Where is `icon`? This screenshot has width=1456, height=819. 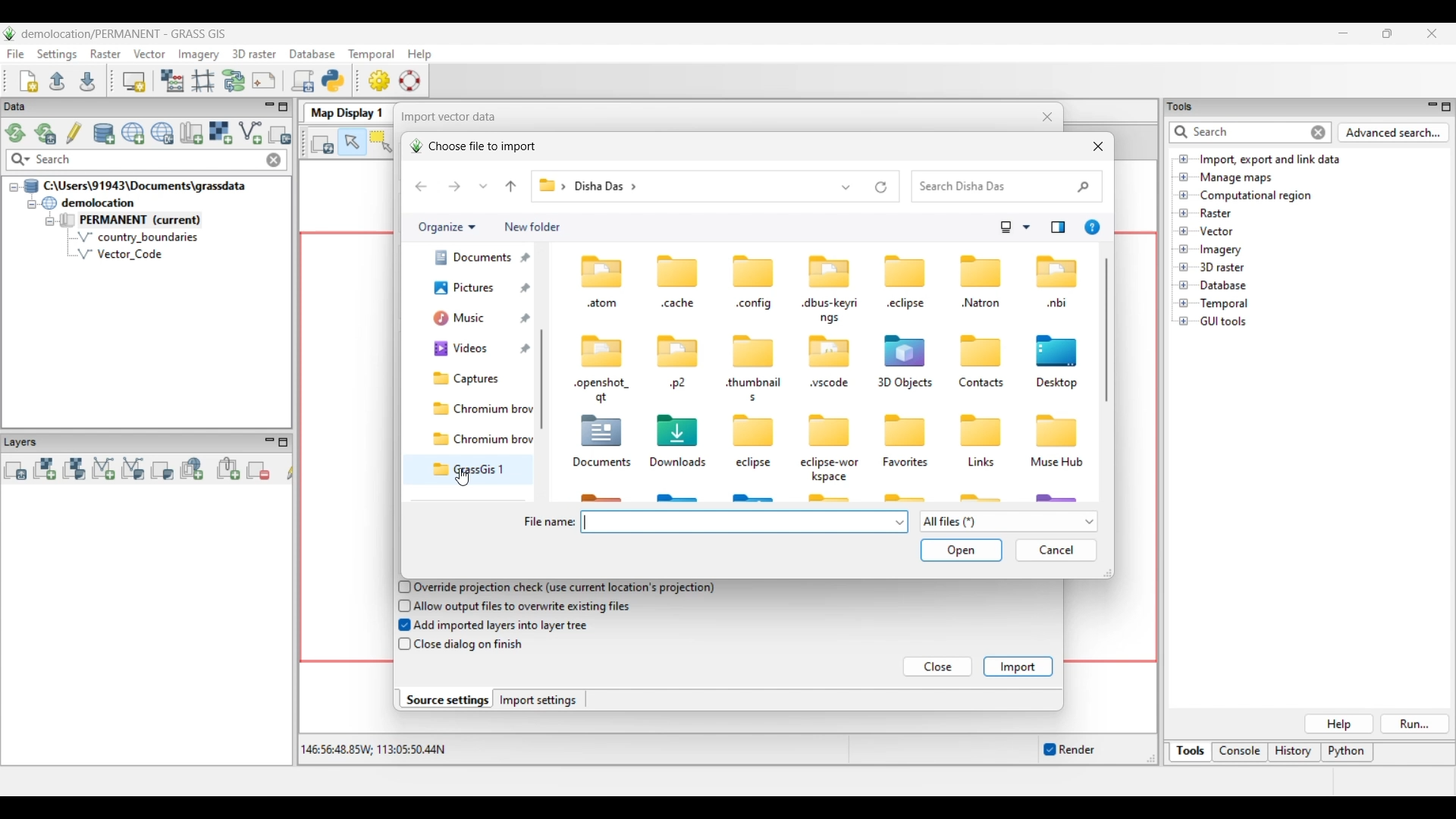
icon is located at coordinates (1057, 271).